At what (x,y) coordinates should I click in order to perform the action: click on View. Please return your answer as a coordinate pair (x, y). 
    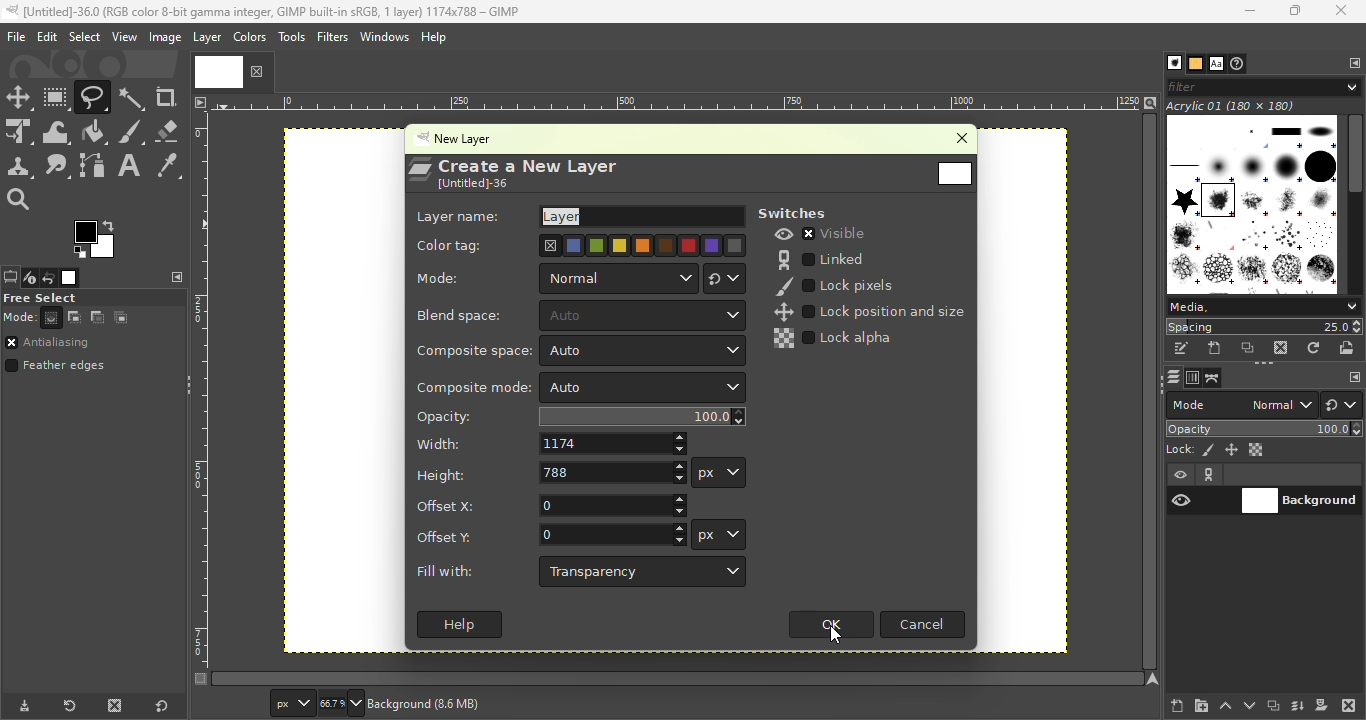
    Looking at the image, I should click on (122, 36).